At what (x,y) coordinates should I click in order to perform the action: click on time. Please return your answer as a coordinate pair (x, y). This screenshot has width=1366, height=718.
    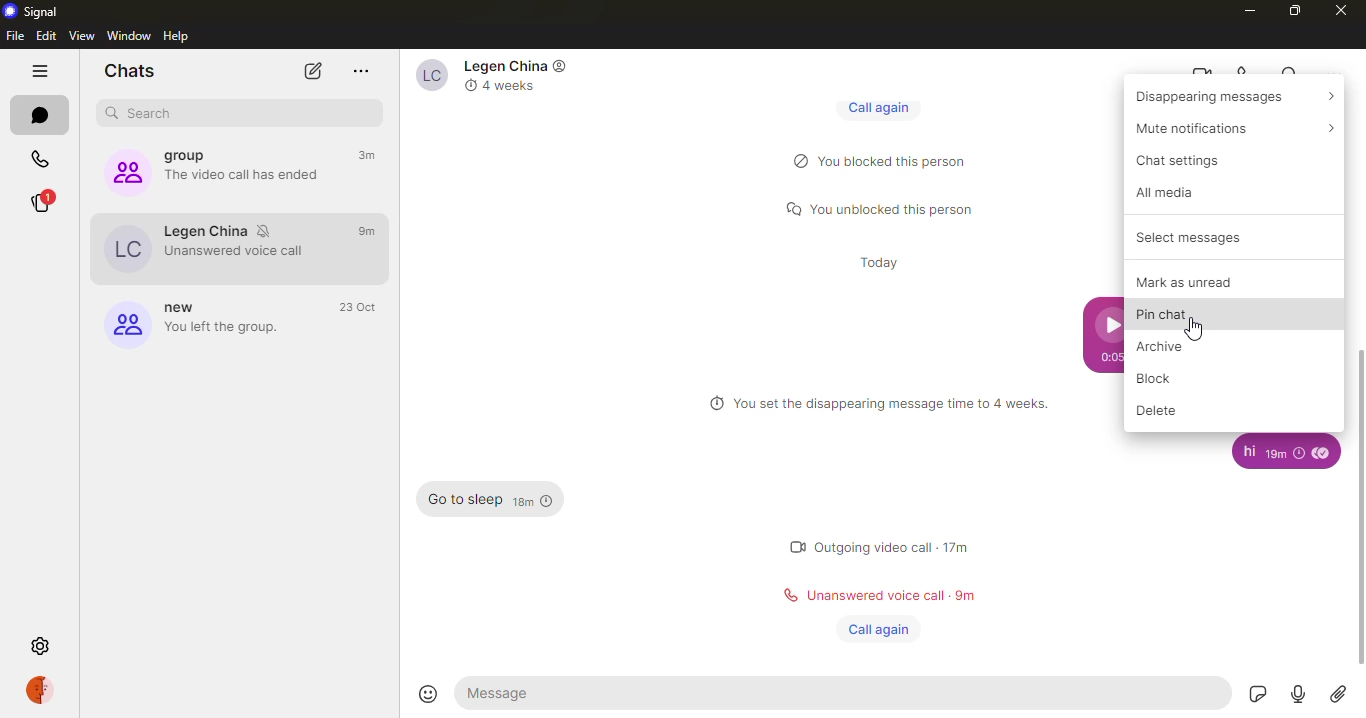
    Looking at the image, I should click on (354, 301).